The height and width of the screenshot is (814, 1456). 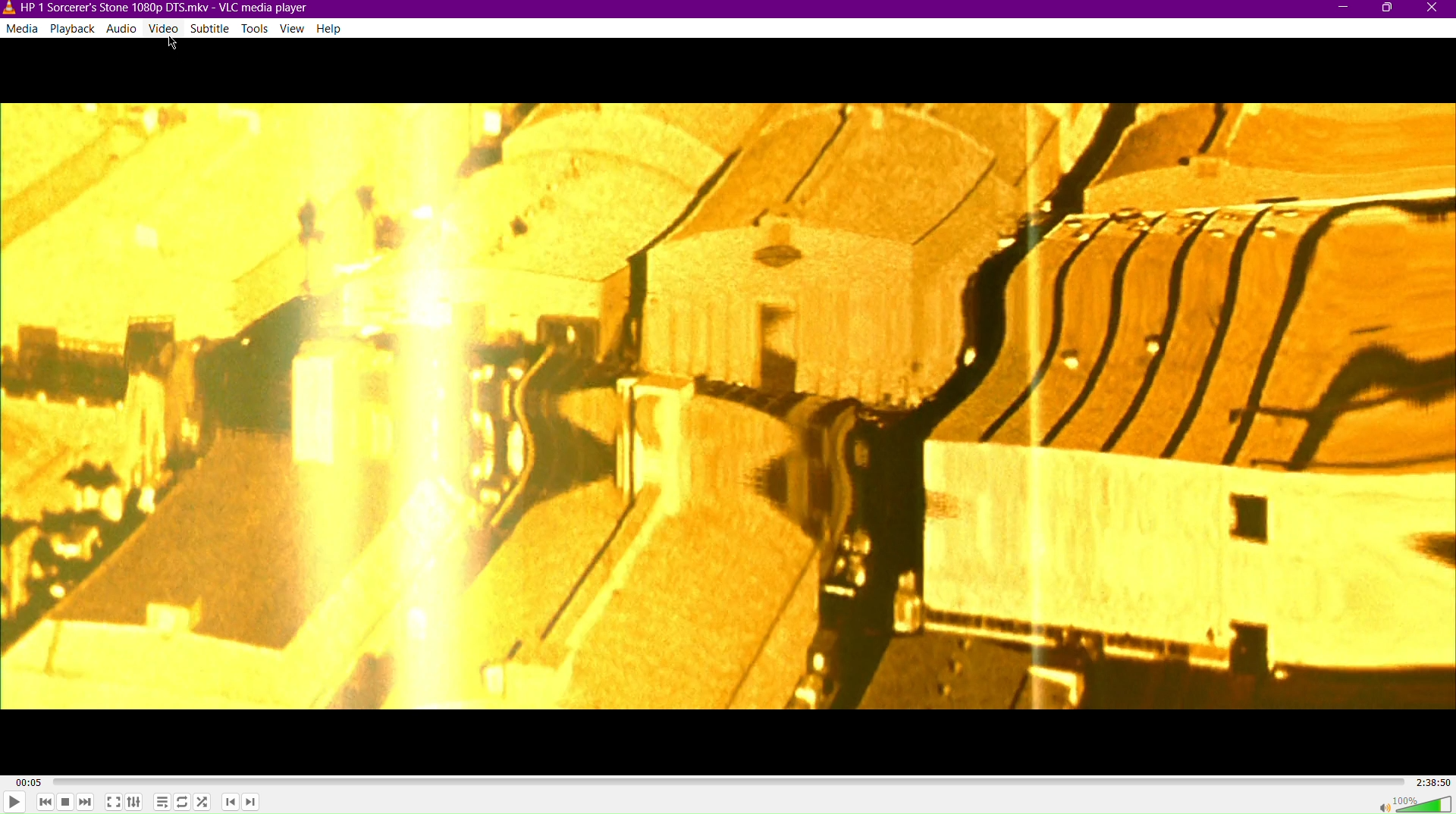 I want to click on wallpaper, so click(x=729, y=407).